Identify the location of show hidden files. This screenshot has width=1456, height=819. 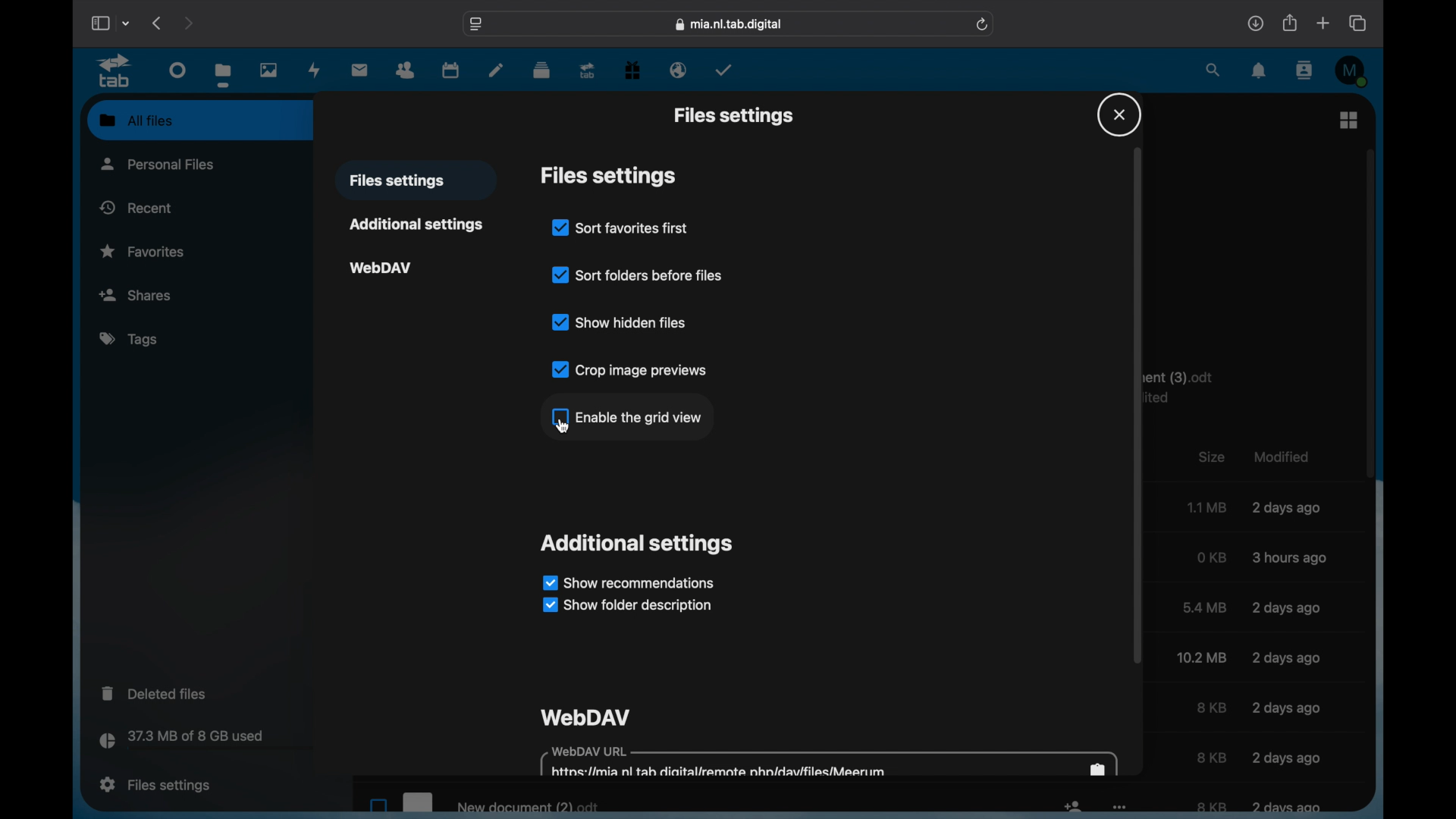
(620, 322).